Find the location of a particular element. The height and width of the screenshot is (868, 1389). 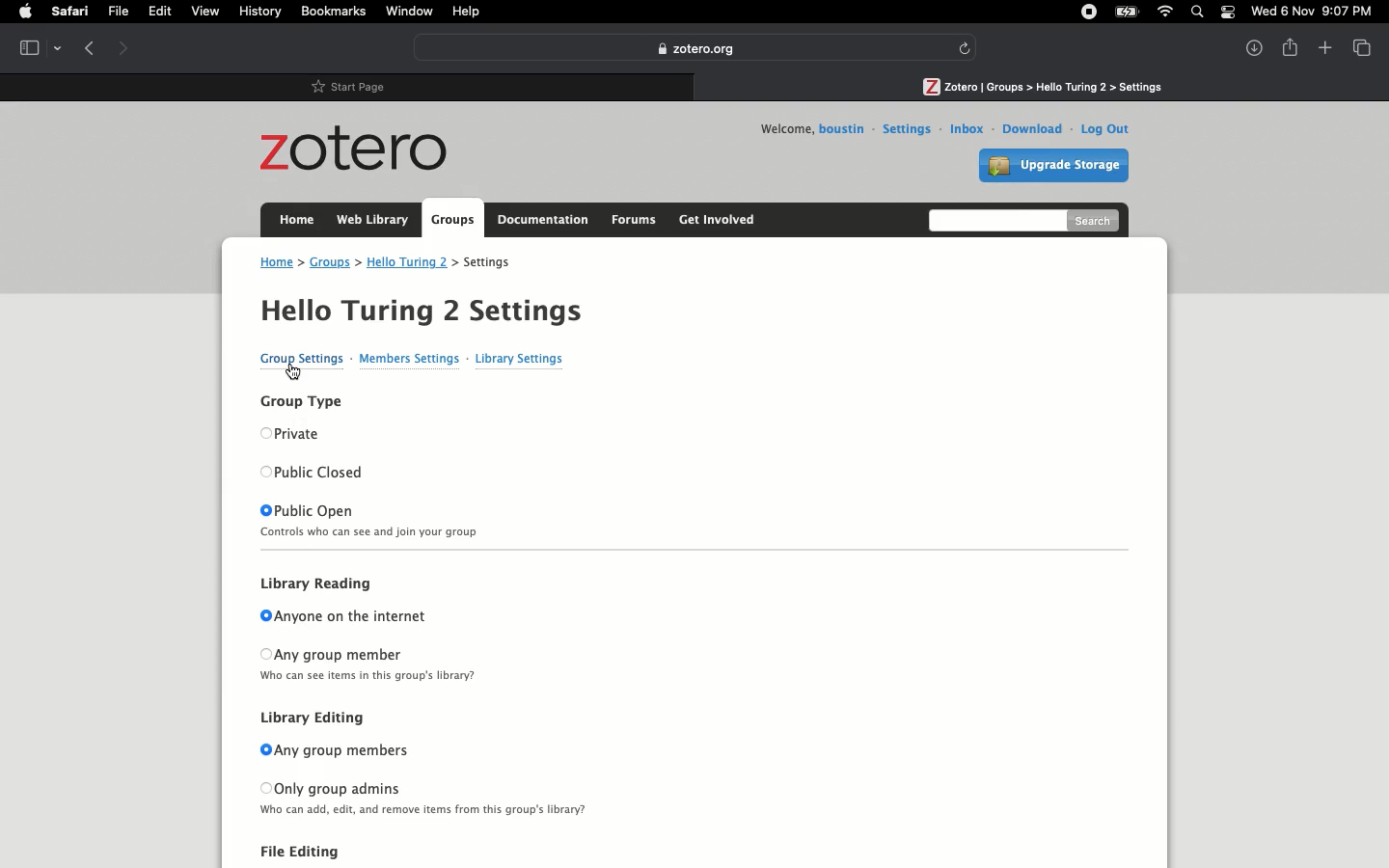

Public closed is located at coordinates (311, 471).